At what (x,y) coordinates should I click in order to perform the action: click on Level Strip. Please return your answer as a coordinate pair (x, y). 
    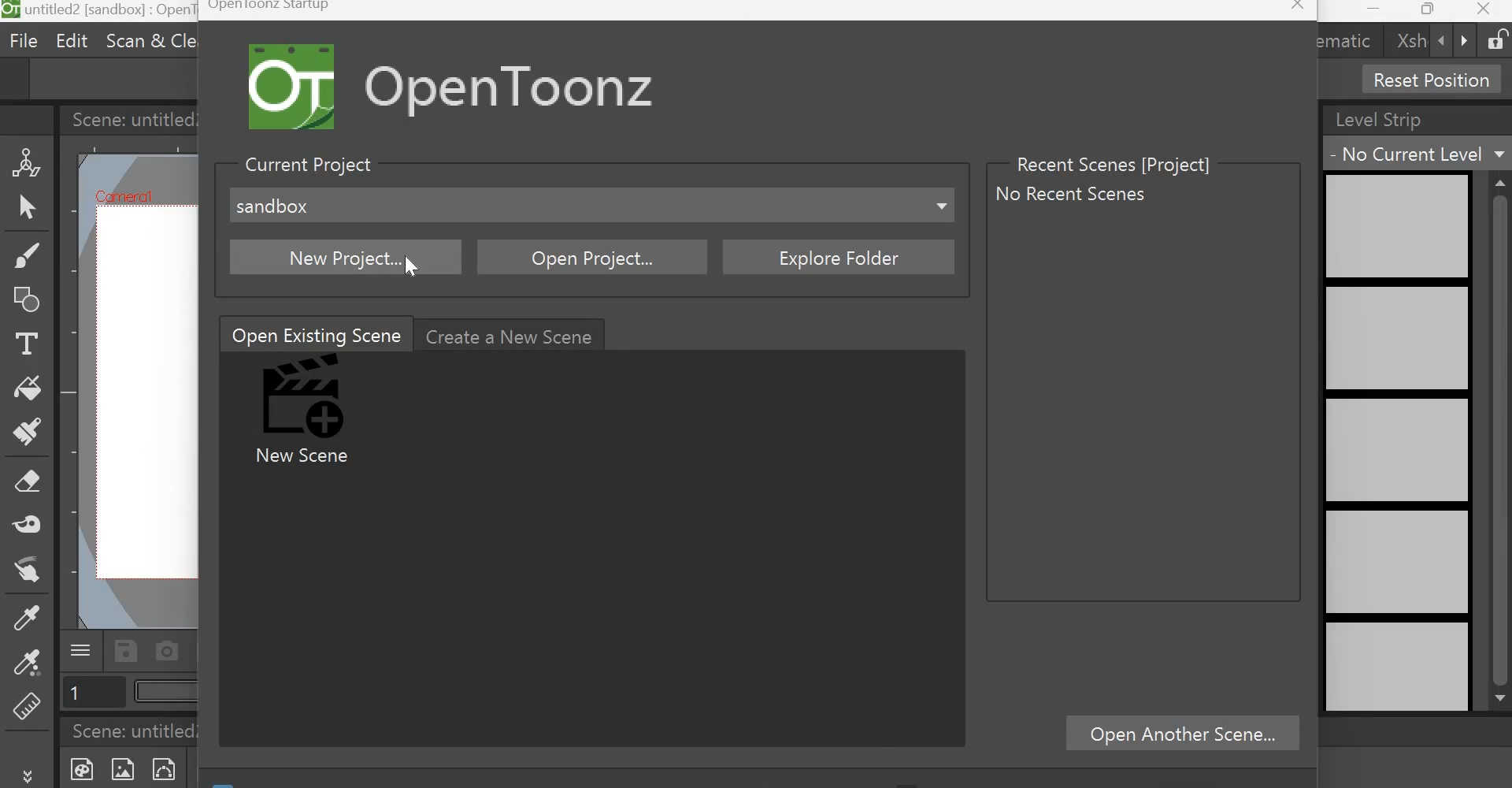
    Looking at the image, I should click on (1392, 117).